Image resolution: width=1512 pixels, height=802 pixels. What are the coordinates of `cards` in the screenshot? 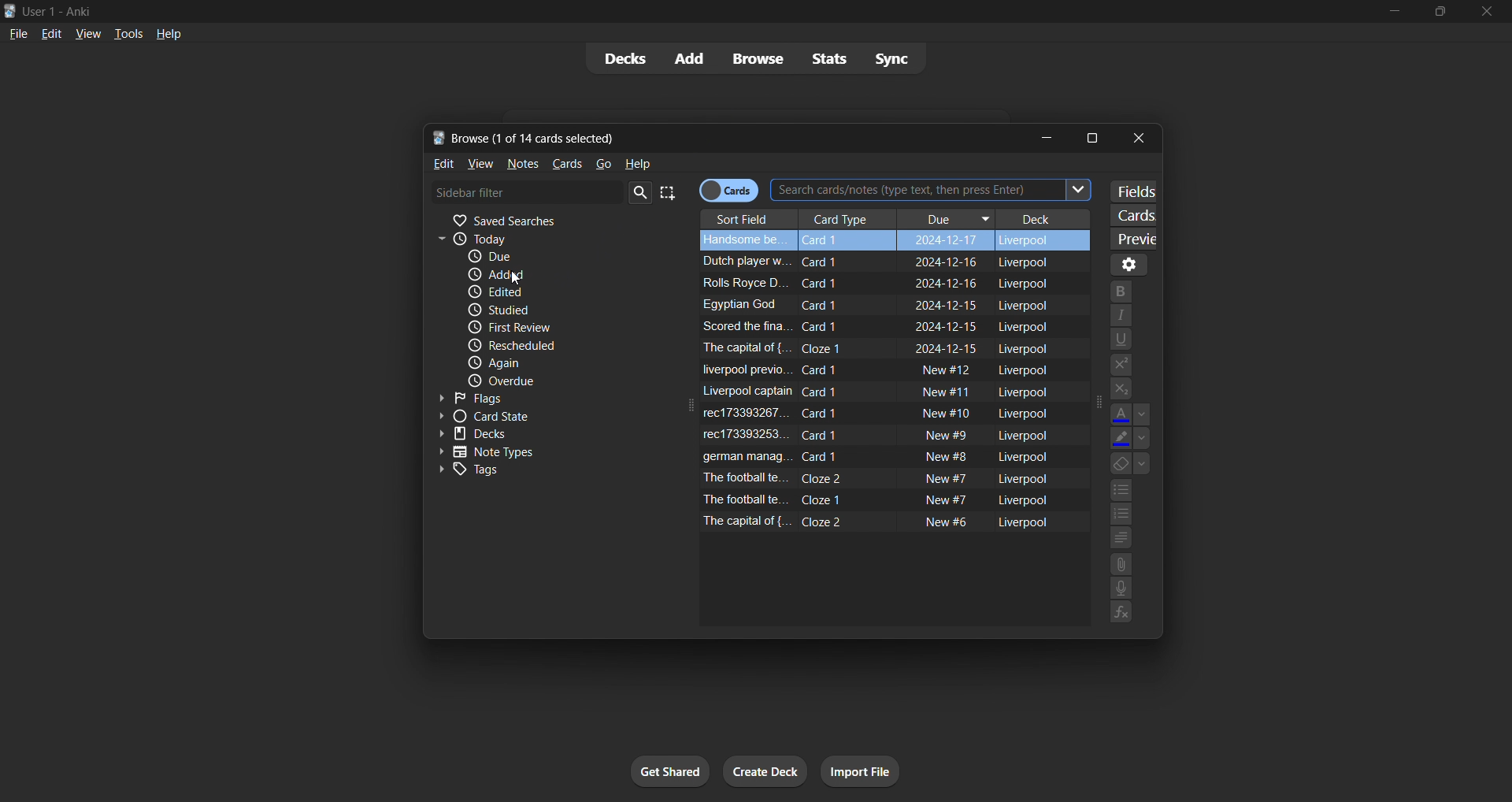 It's located at (566, 164).